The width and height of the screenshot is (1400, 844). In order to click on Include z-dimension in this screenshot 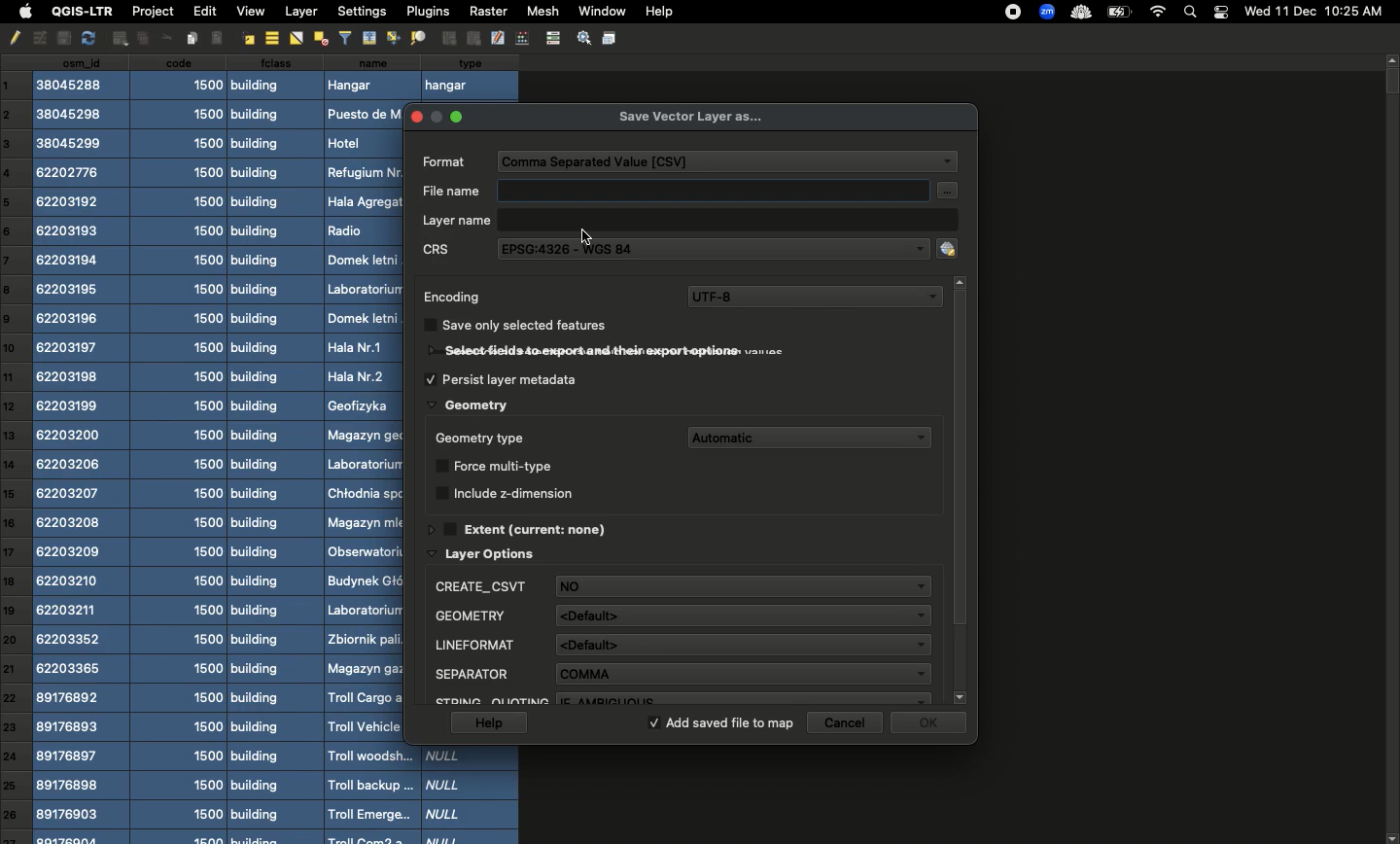, I will do `click(517, 491)`.